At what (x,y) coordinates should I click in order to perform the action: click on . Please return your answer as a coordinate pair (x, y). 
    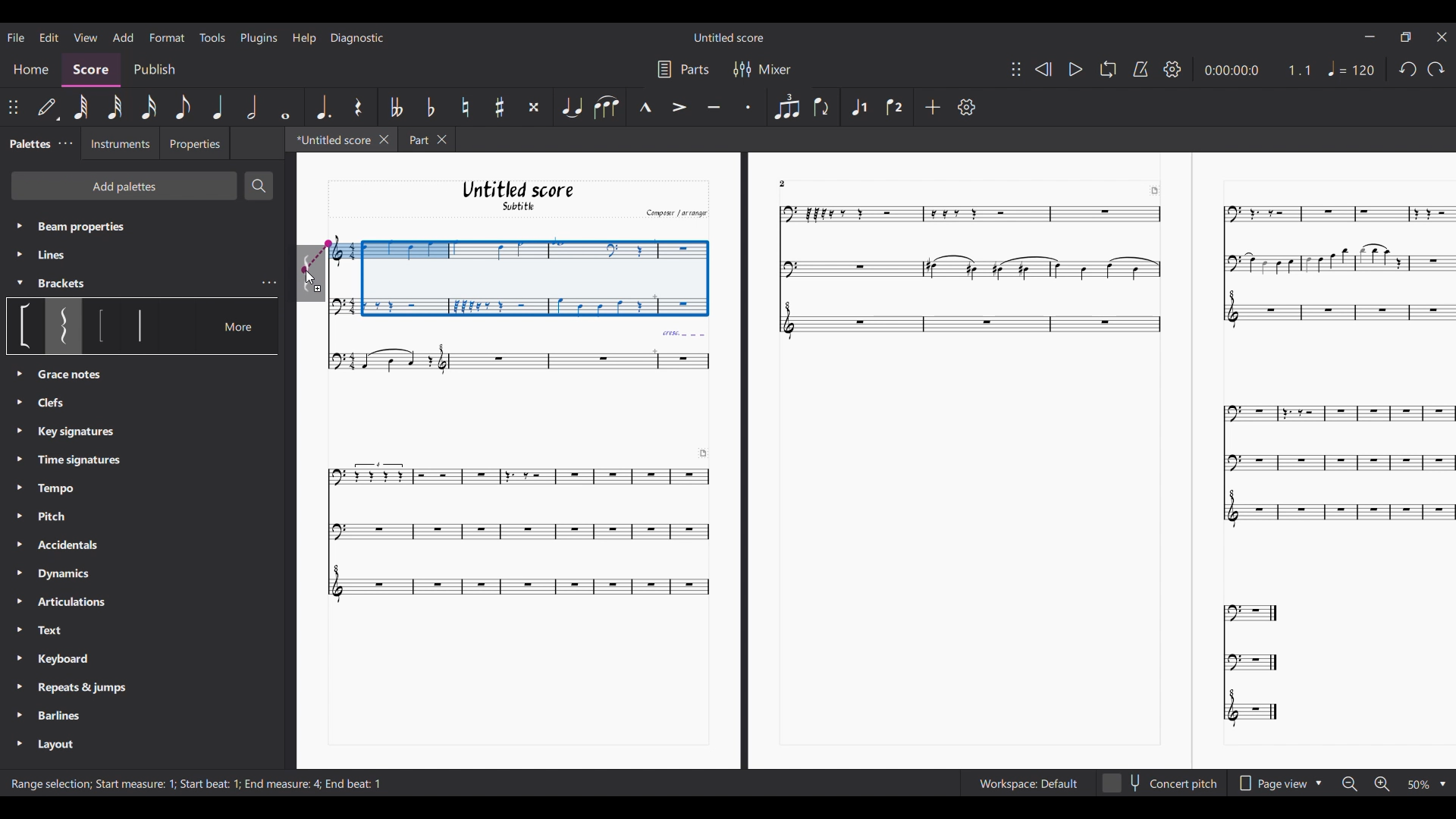
    Looking at the image, I should click on (1338, 212).